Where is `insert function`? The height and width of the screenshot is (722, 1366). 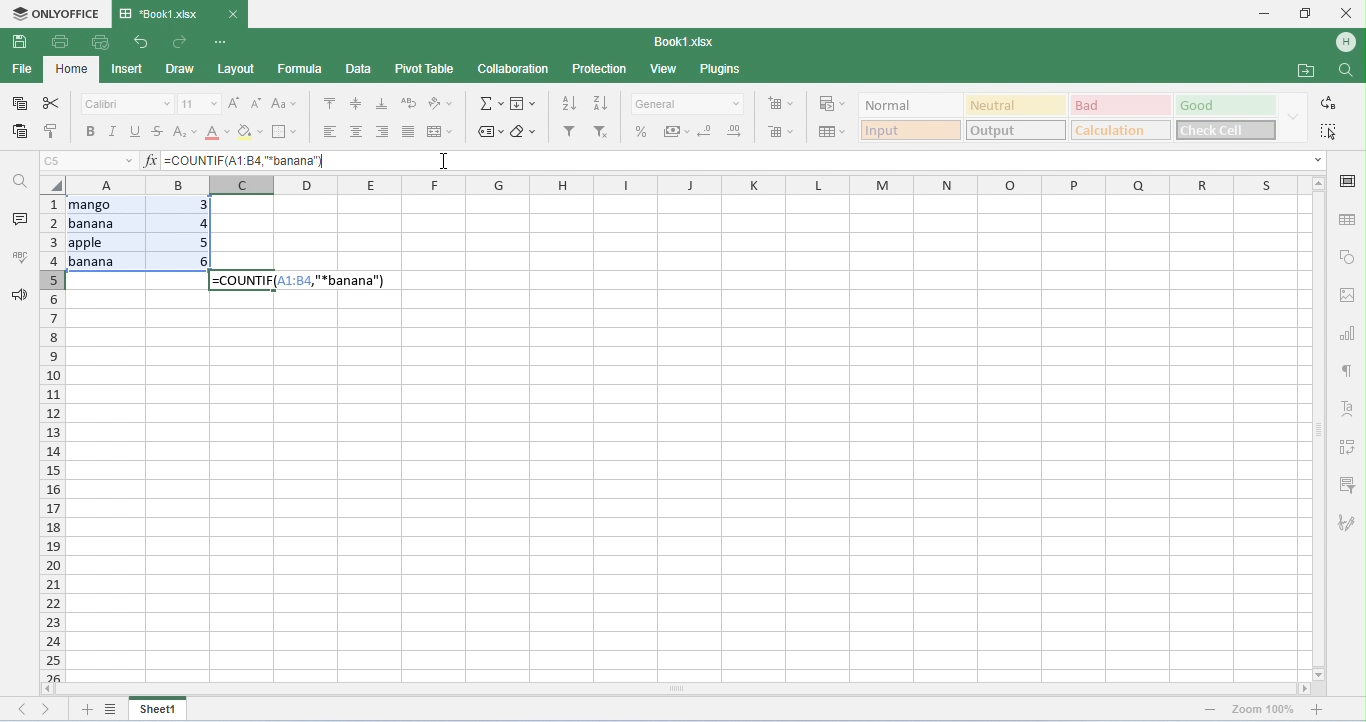 insert function is located at coordinates (489, 104).